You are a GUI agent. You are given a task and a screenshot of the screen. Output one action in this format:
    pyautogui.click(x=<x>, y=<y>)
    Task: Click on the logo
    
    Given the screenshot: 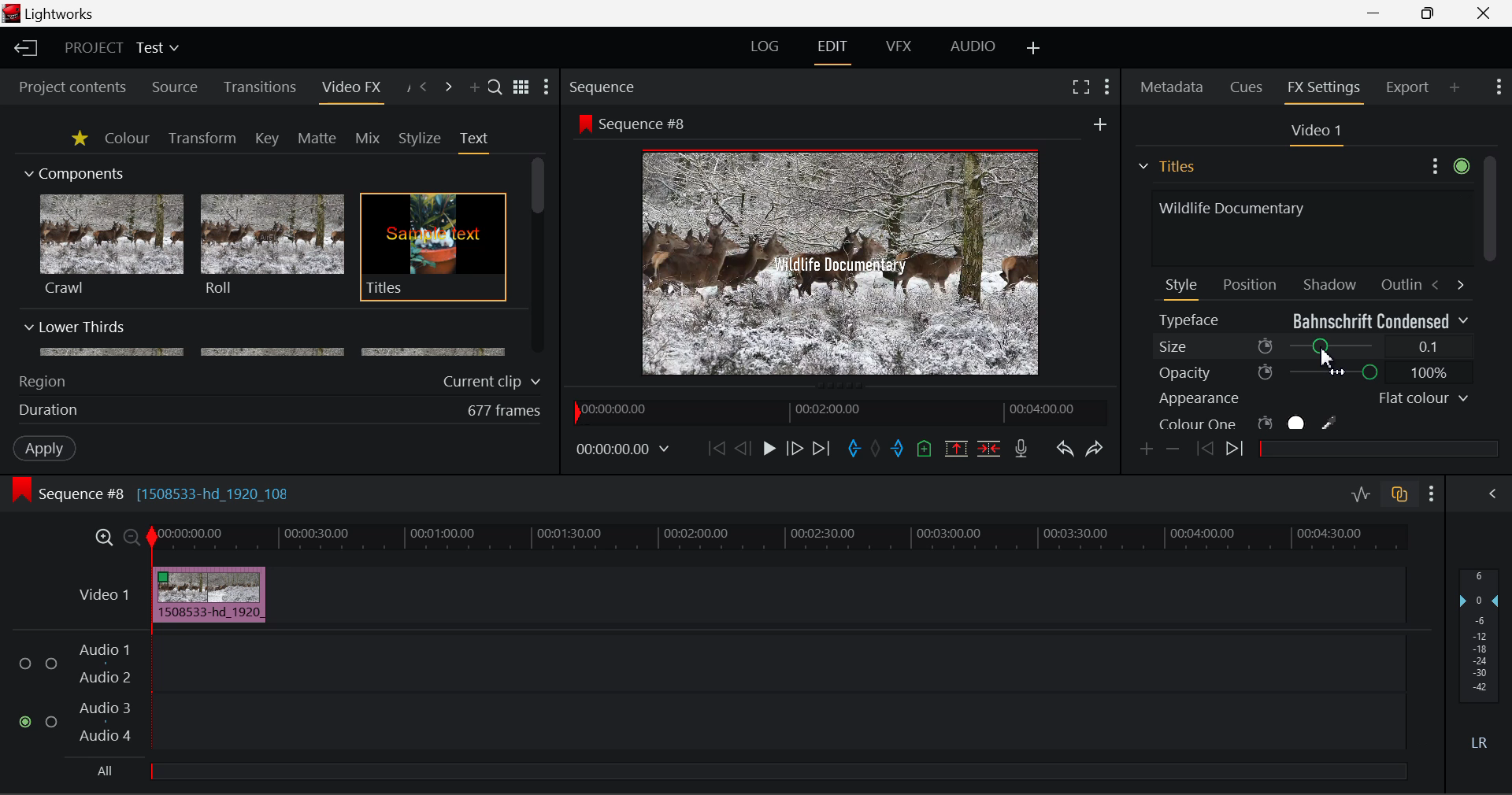 What is the action you would take?
    pyautogui.click(x=13, y=13)
    